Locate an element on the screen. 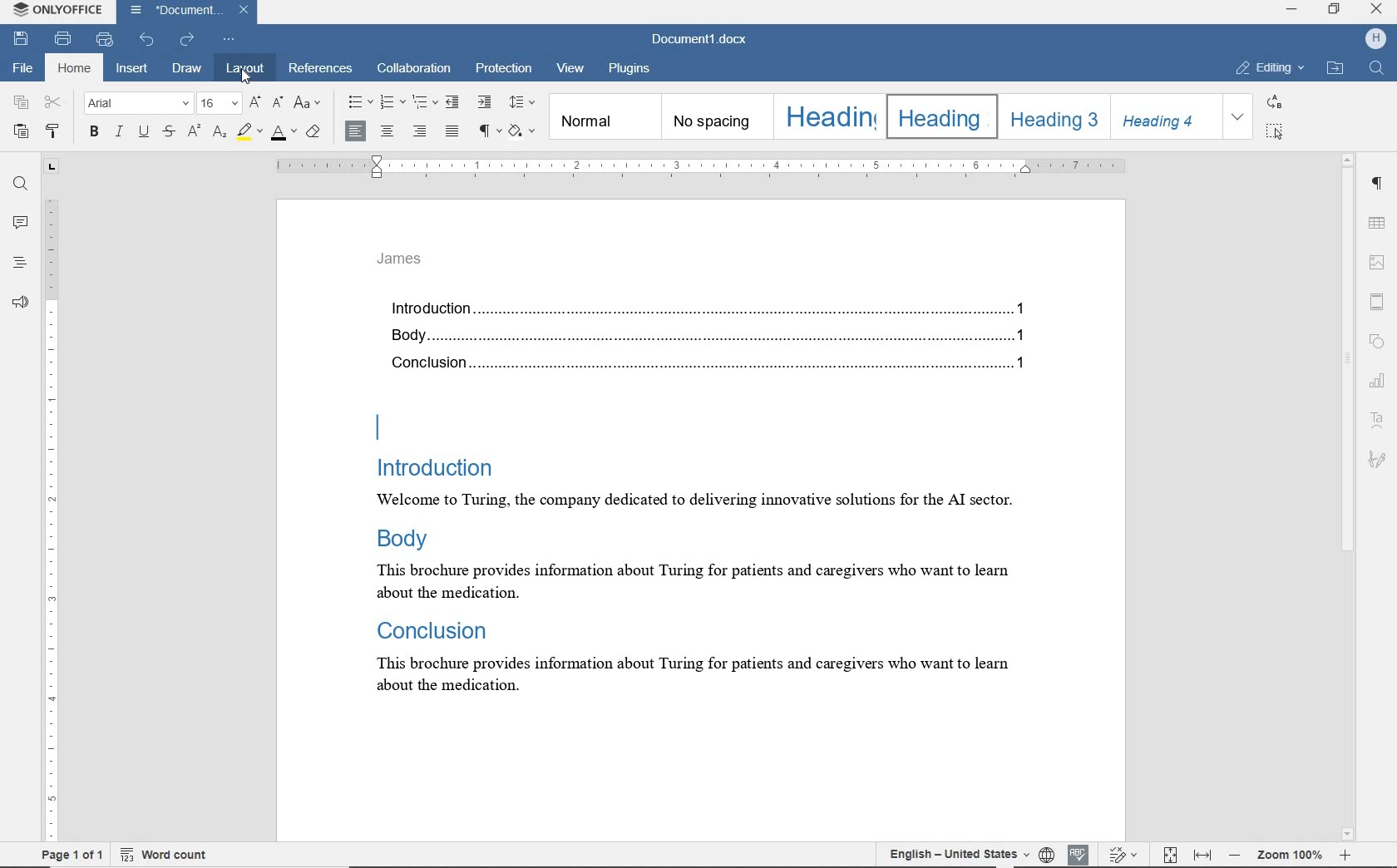  multilevel list is located at coordinates (426, 103).